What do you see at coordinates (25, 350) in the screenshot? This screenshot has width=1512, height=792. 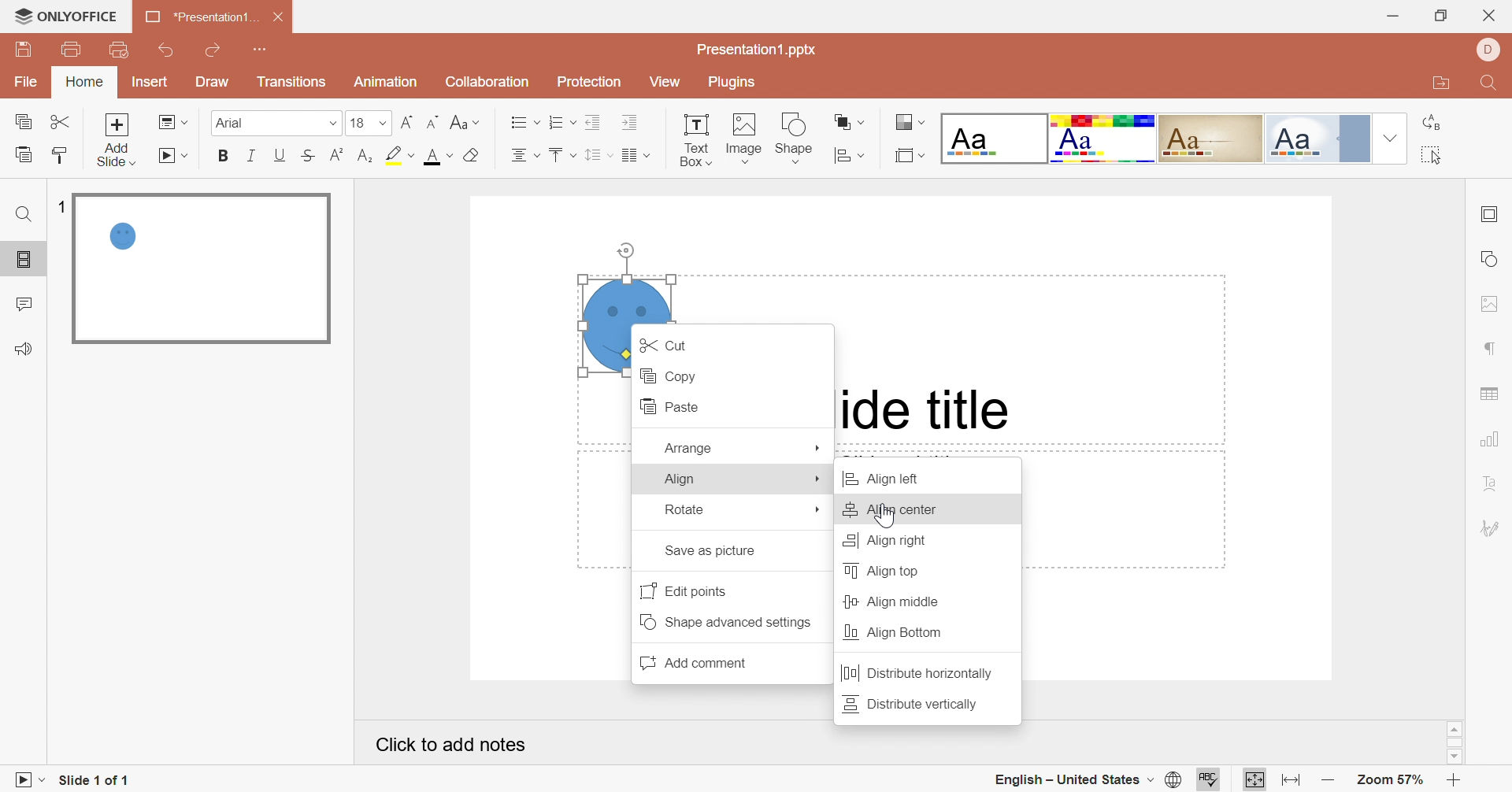 I see `Feedback & Support` at bounding box center [25, 350].